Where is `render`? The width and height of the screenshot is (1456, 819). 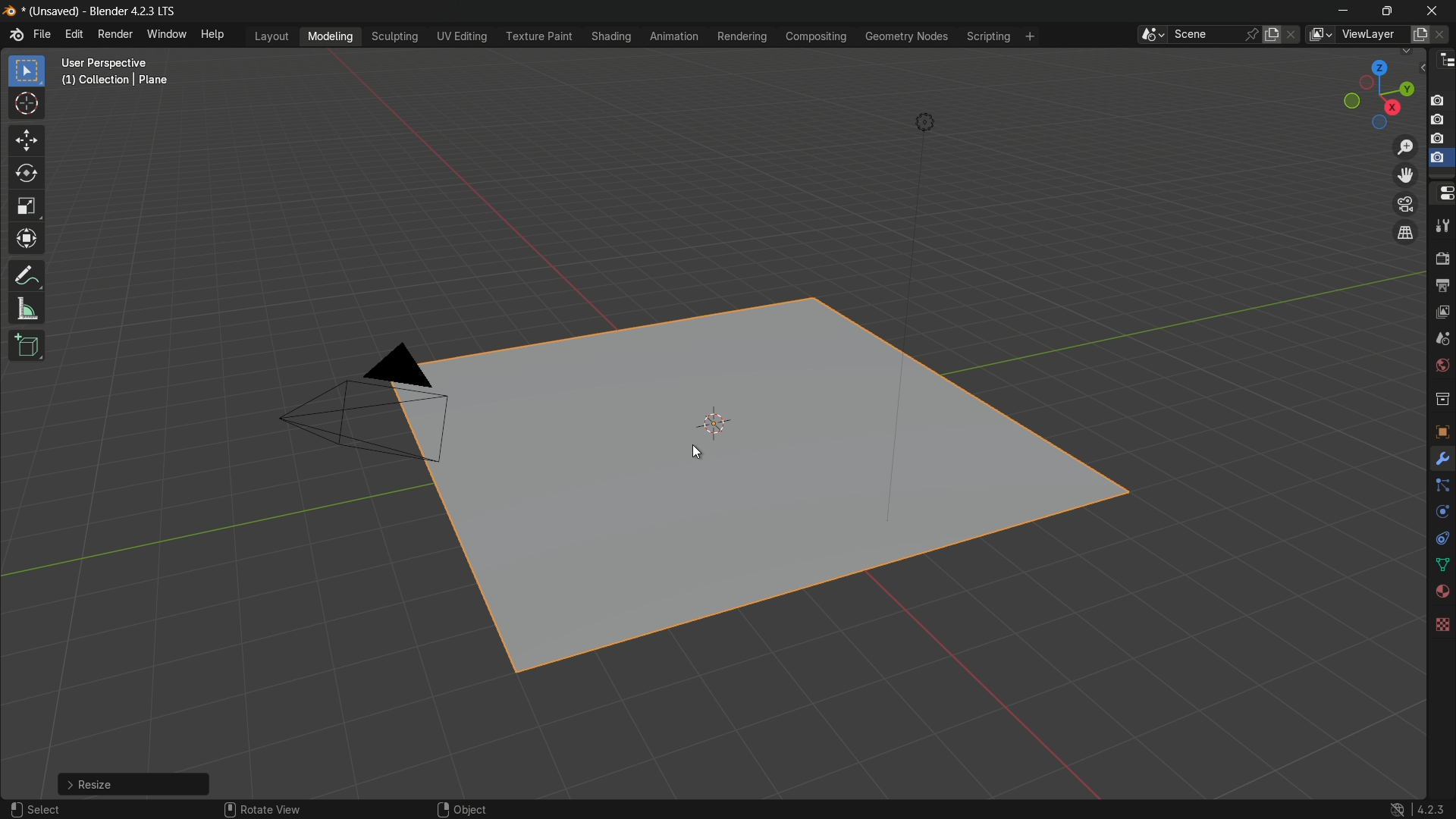 render is located at coordinates (1441, 257).